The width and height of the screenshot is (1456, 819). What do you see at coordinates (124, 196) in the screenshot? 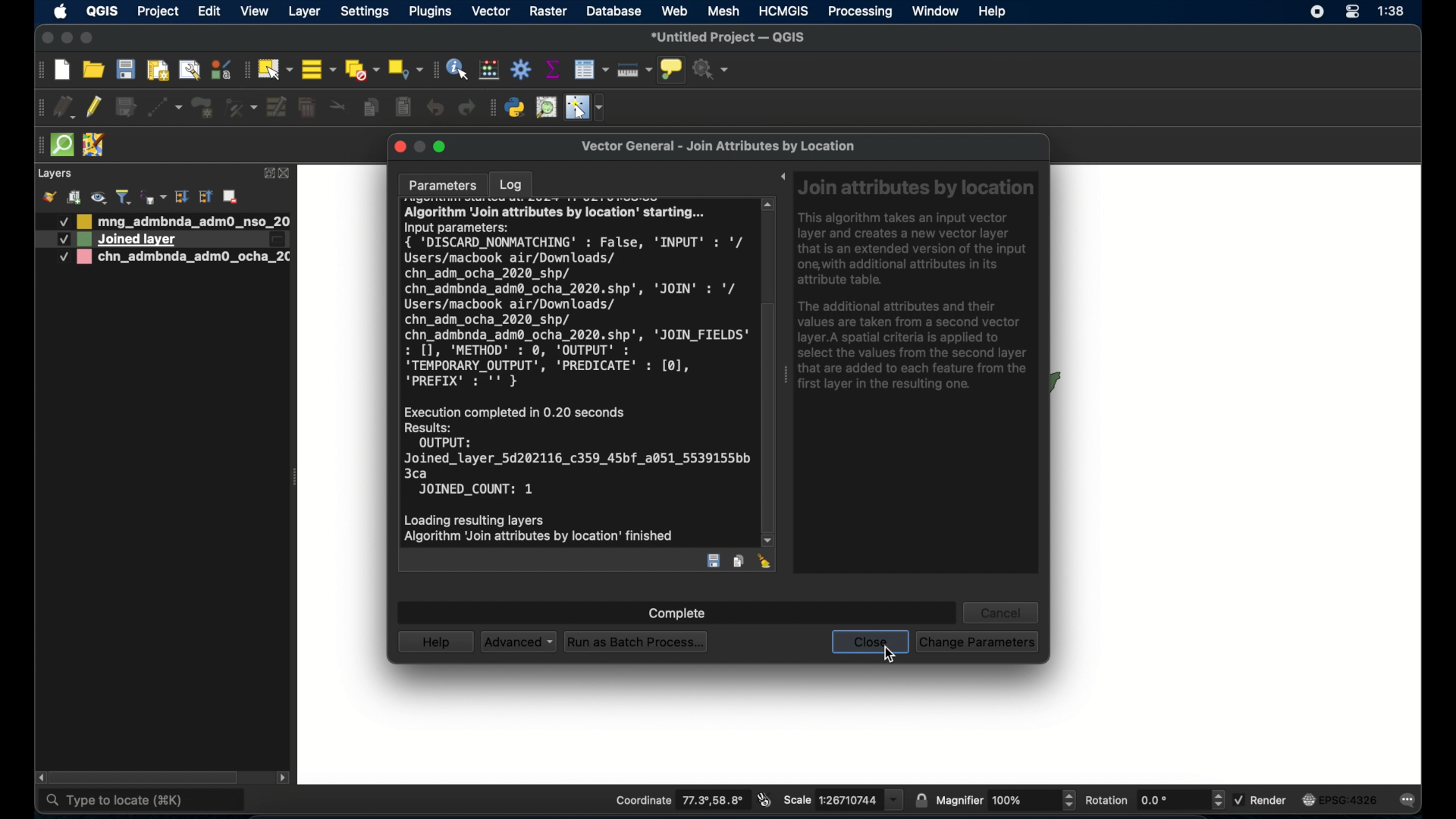
I see `filter legend` at bounding box center [124, 196].